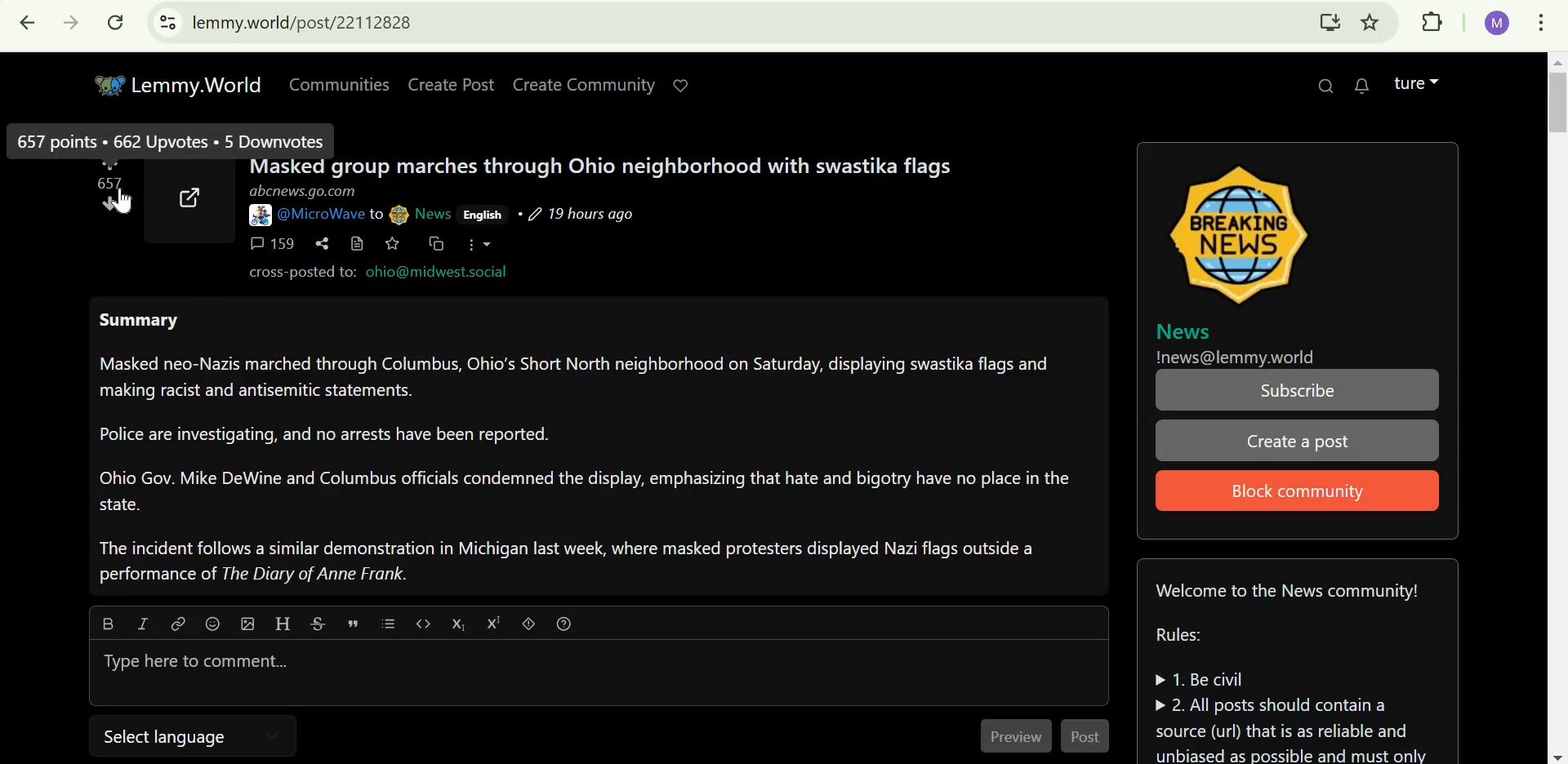 The image size is (1568, 764). I want to click on Subscribe, so click(1294, 390).